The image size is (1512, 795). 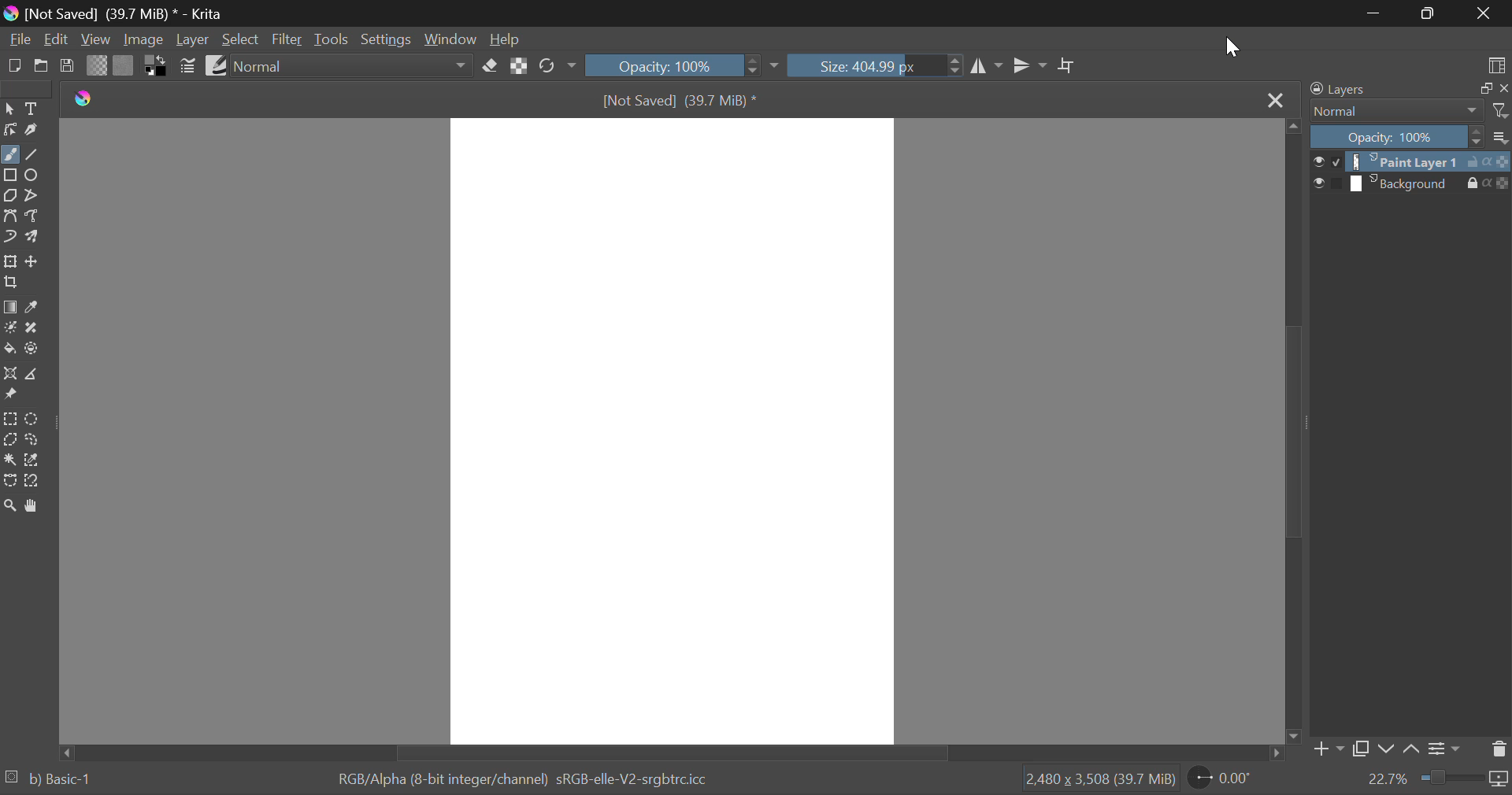 I want to click on Help, so click(x=506, y=39).